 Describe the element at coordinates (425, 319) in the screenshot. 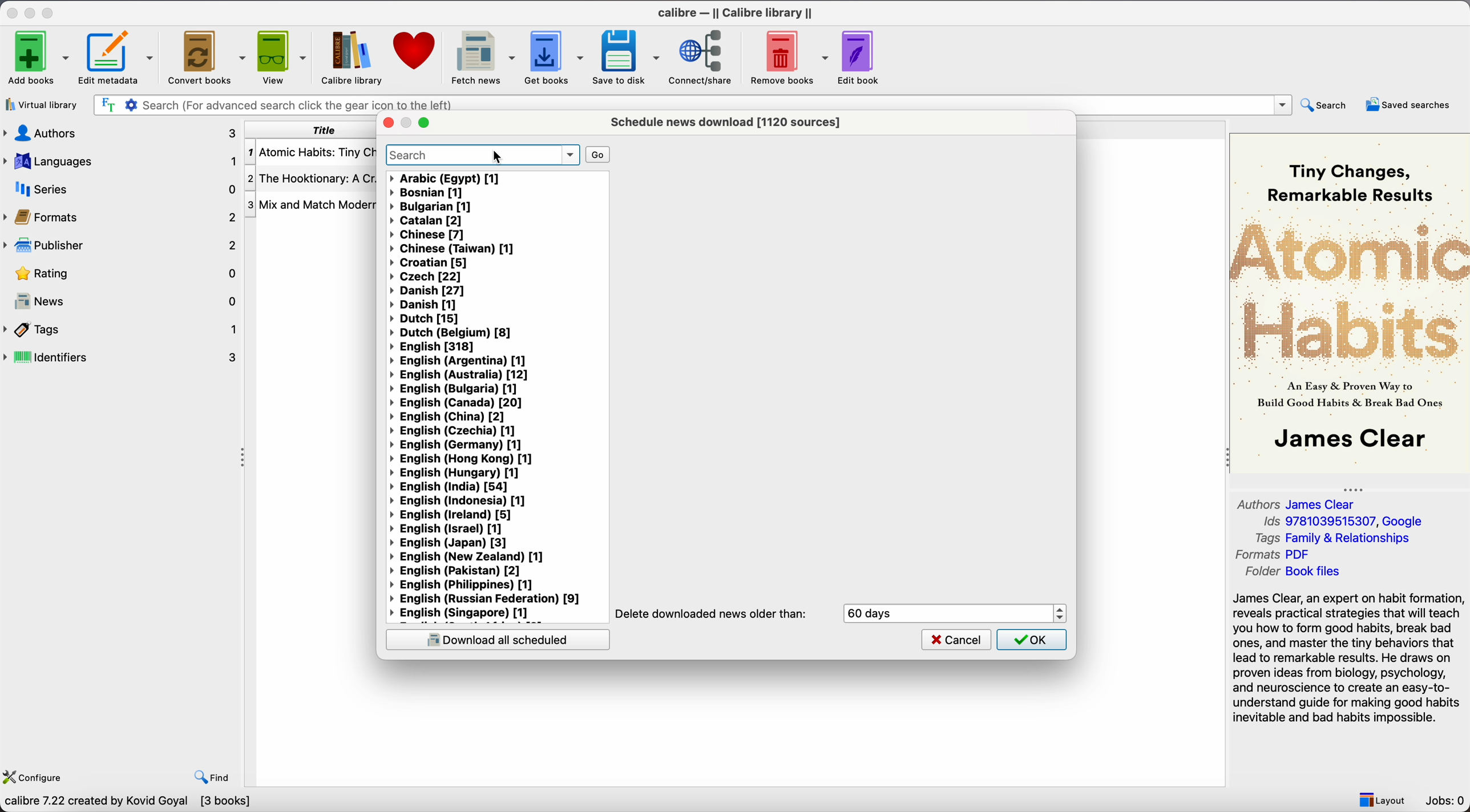

I see `Dutch [15]` at that location.